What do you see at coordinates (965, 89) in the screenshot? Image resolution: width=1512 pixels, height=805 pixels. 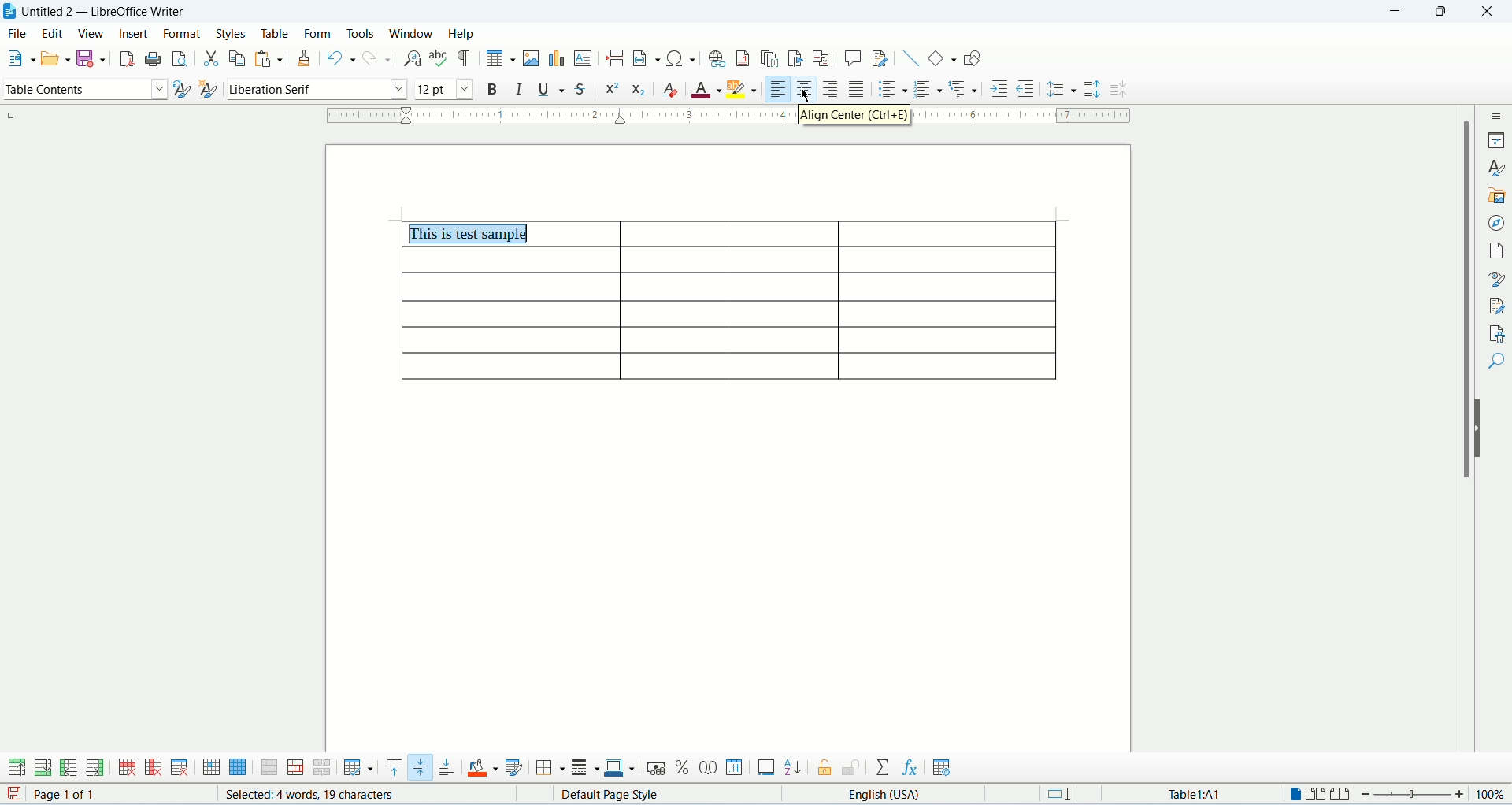 I see `outline format` at bounding box center [965, 89].